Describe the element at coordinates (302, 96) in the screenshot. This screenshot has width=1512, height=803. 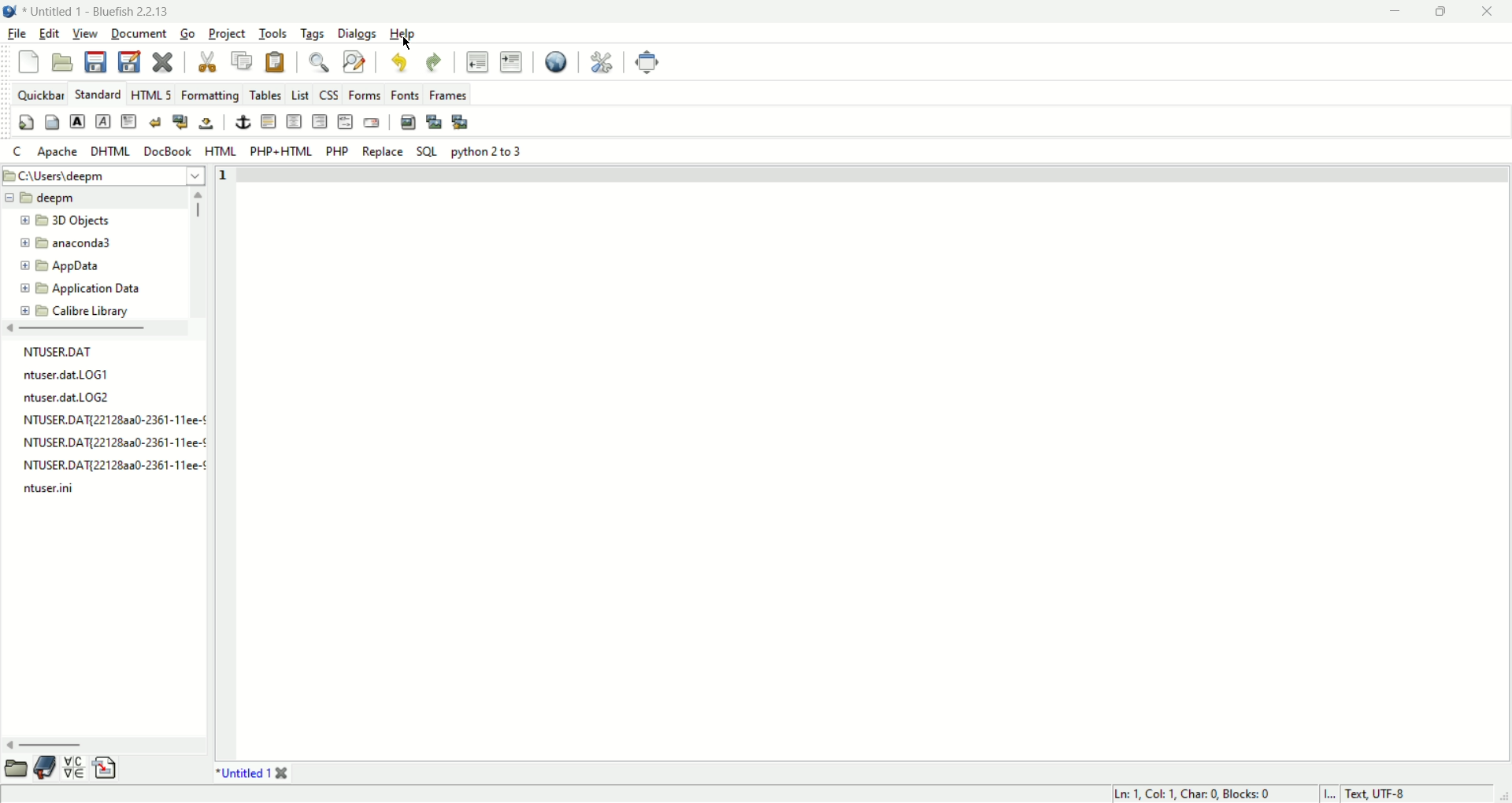
I see `list` at that location.